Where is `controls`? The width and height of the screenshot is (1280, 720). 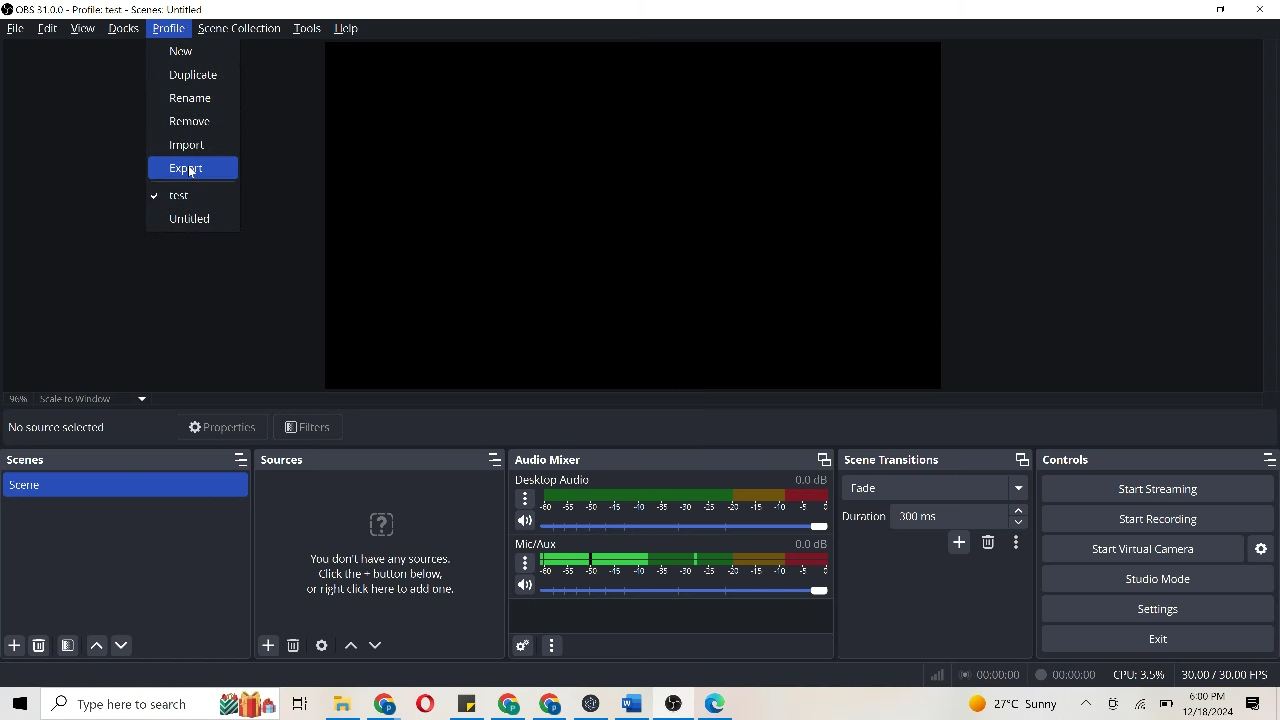
controls is located at coordinates (1089, 459).